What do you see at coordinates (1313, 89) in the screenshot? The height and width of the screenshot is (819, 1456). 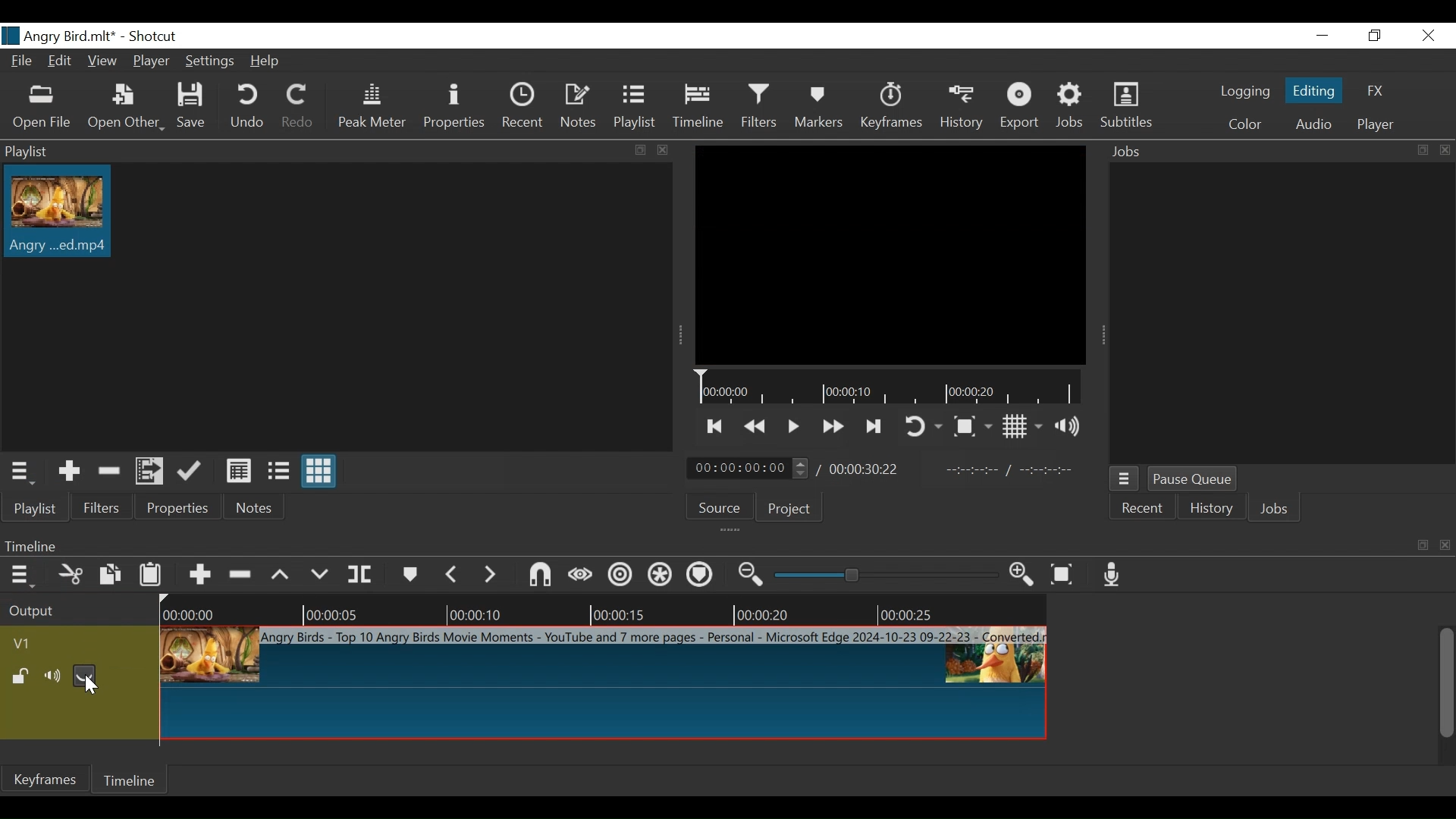 I see `Editing` at bounding box center [1313, 89].